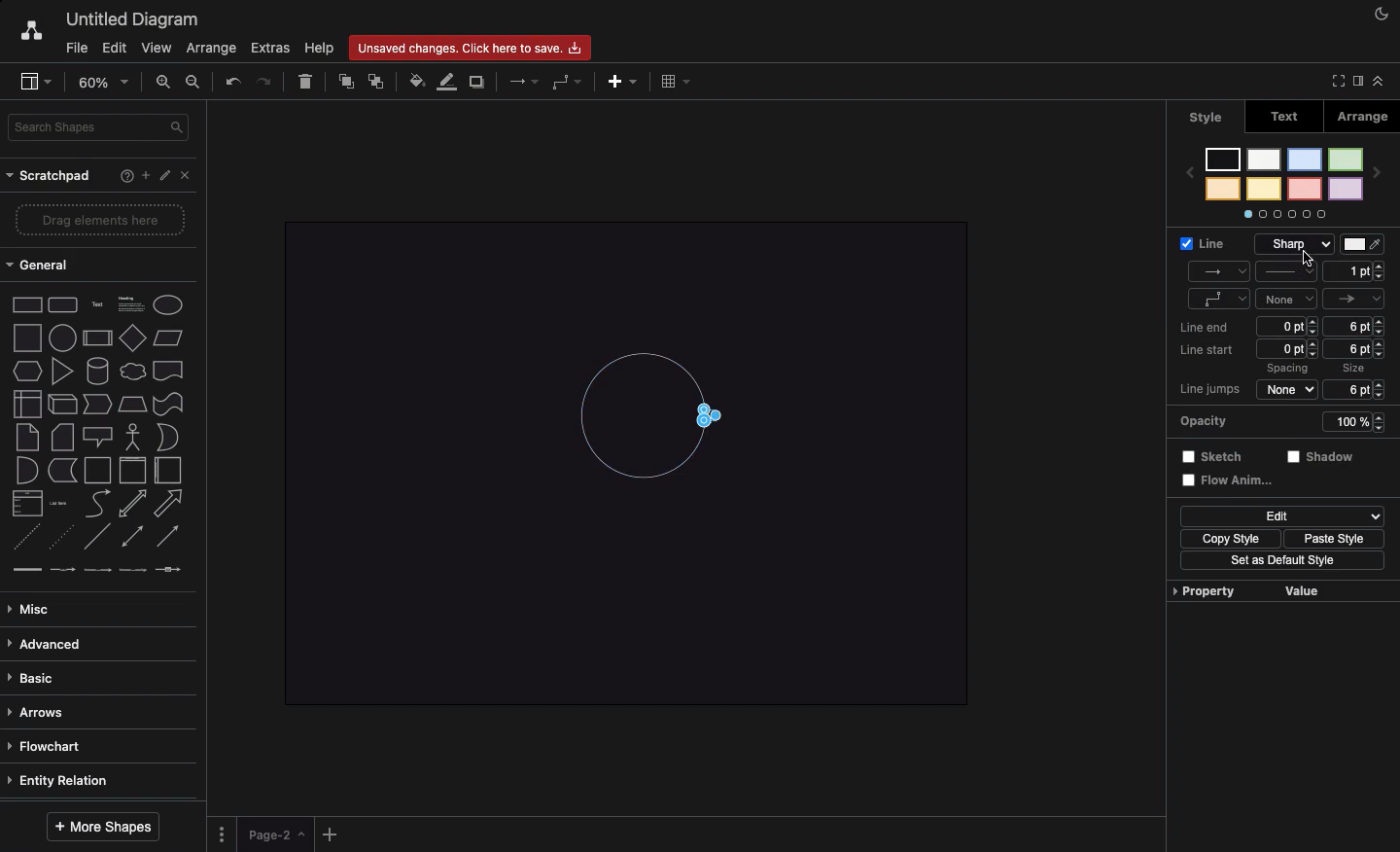 The image size is (1400, 852). What do you see at coordinates (1212, 387) in the screenshot?
I see `Line jumps` at bounding box center [1212, 387].